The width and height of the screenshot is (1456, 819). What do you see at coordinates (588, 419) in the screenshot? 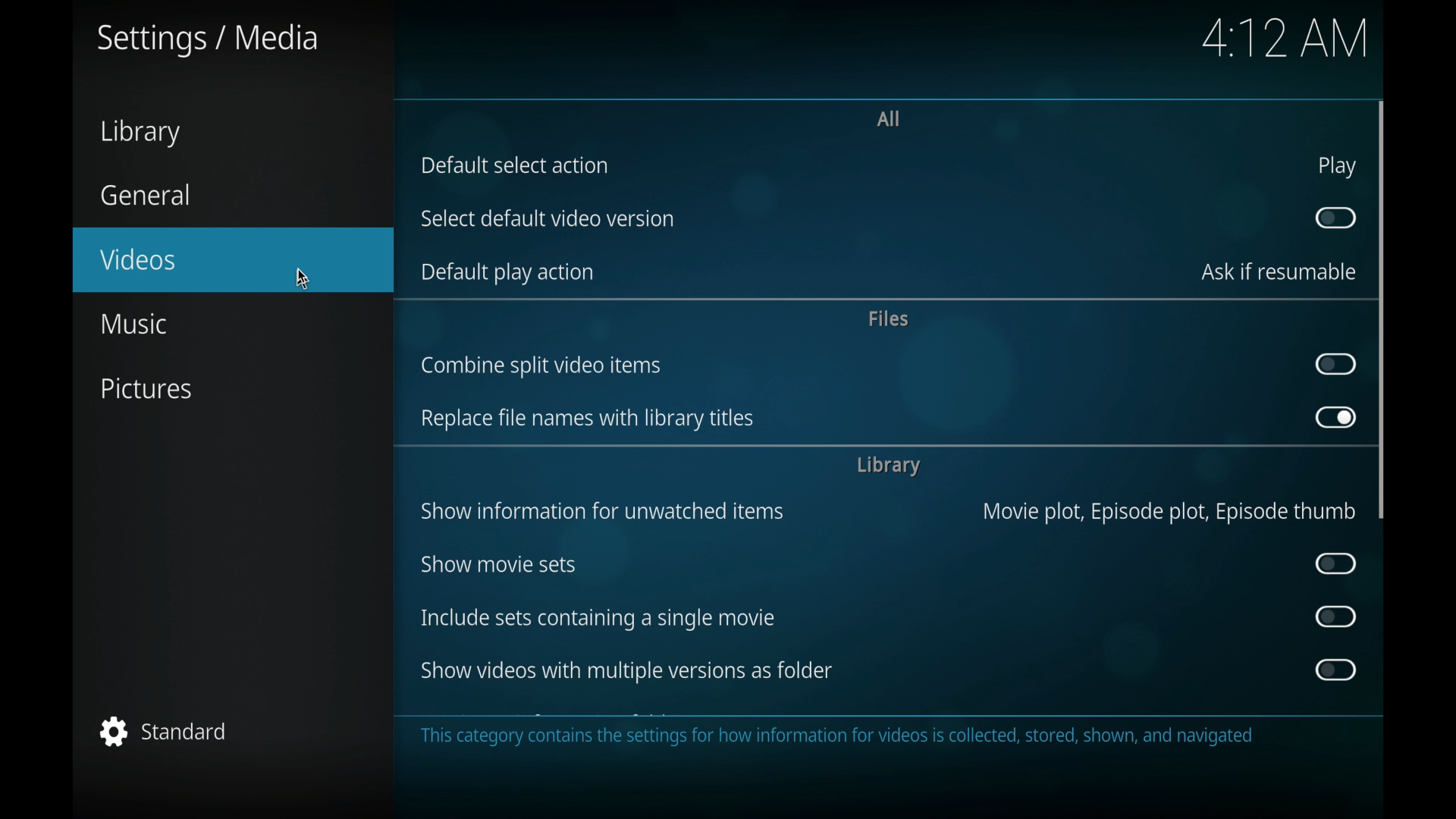
I see `replace file names with library titles` at bounding box center [588, 419].